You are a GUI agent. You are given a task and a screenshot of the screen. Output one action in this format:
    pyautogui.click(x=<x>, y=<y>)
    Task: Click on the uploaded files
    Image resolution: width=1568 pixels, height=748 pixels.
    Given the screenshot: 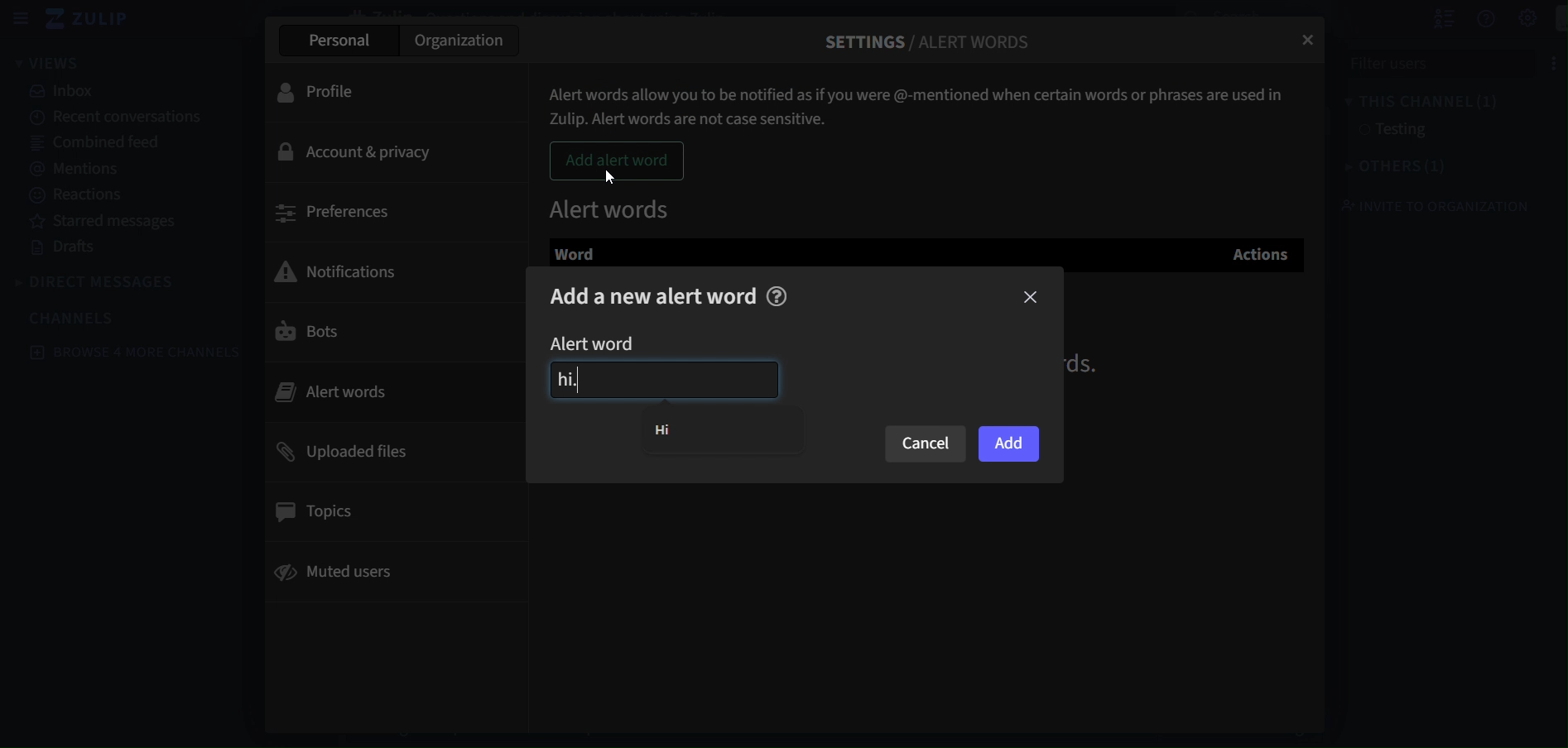 What is the action you would take?
    pyautogui.click(x=346, y=452)
    